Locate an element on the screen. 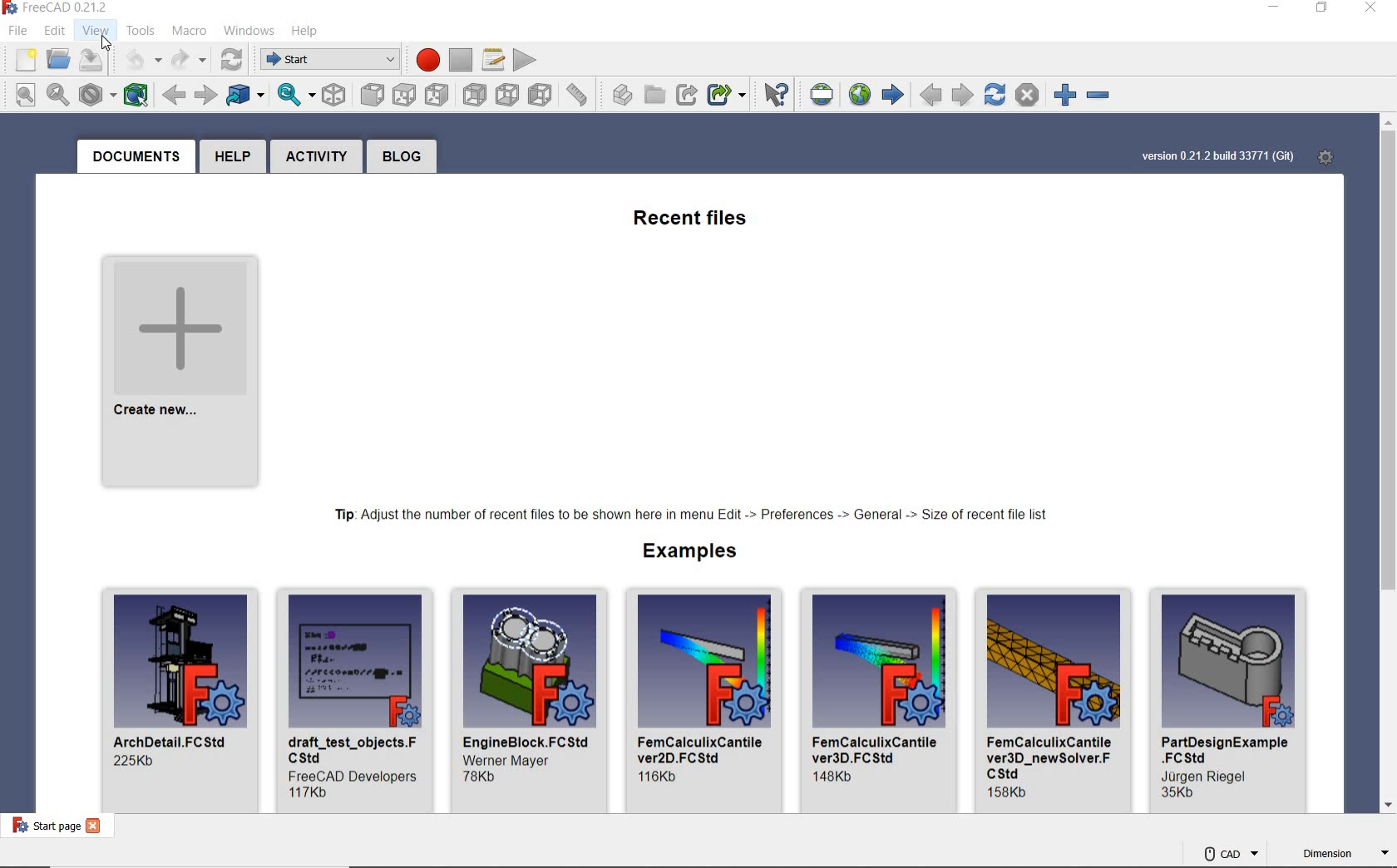 The width and height of the screenshot is (1397, 868). stop loading is located at coordinates (1027, 95).